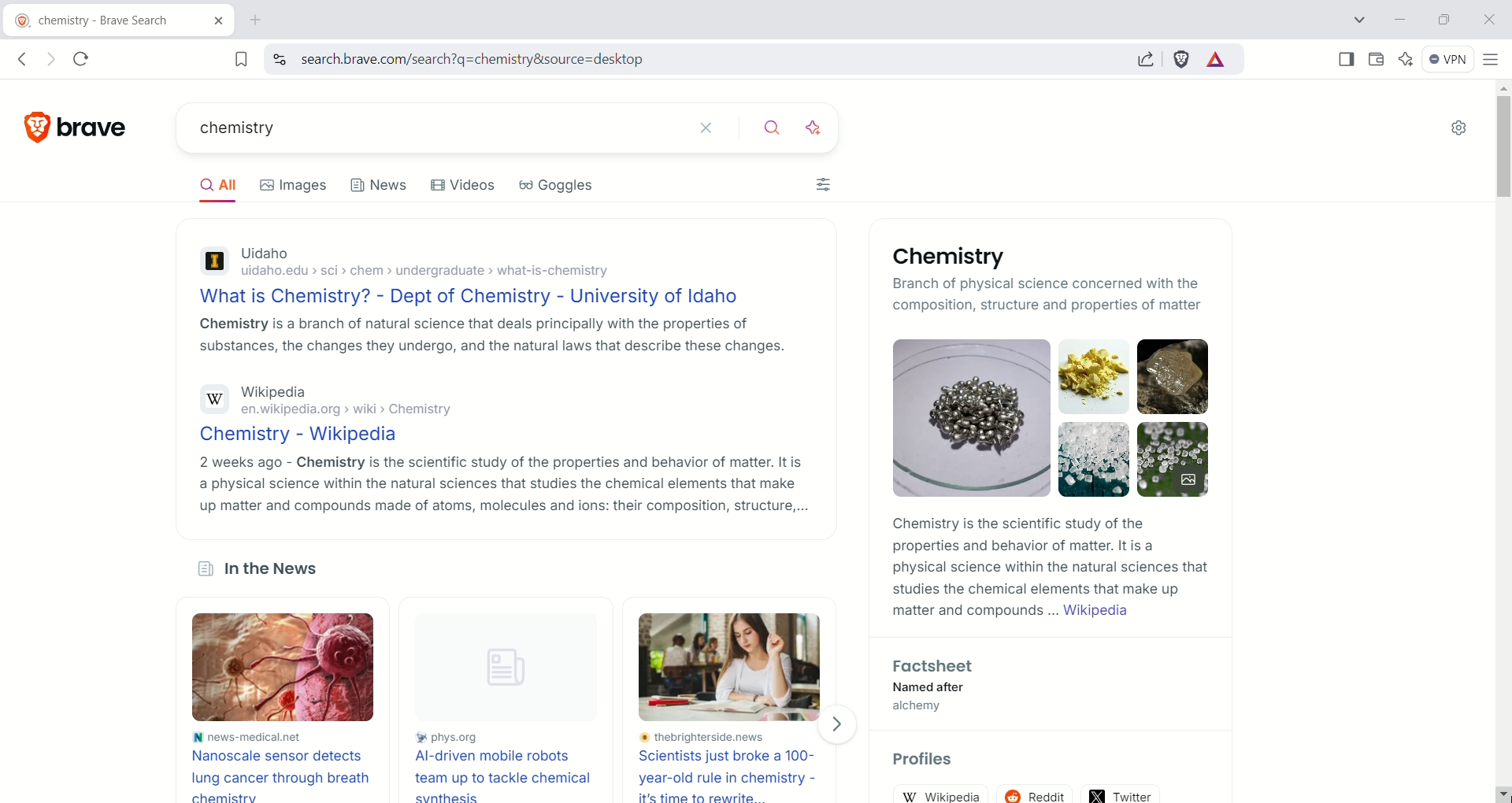  Describe the element at coordinates (735, 667) in the screenshot. I see `image` at that location.